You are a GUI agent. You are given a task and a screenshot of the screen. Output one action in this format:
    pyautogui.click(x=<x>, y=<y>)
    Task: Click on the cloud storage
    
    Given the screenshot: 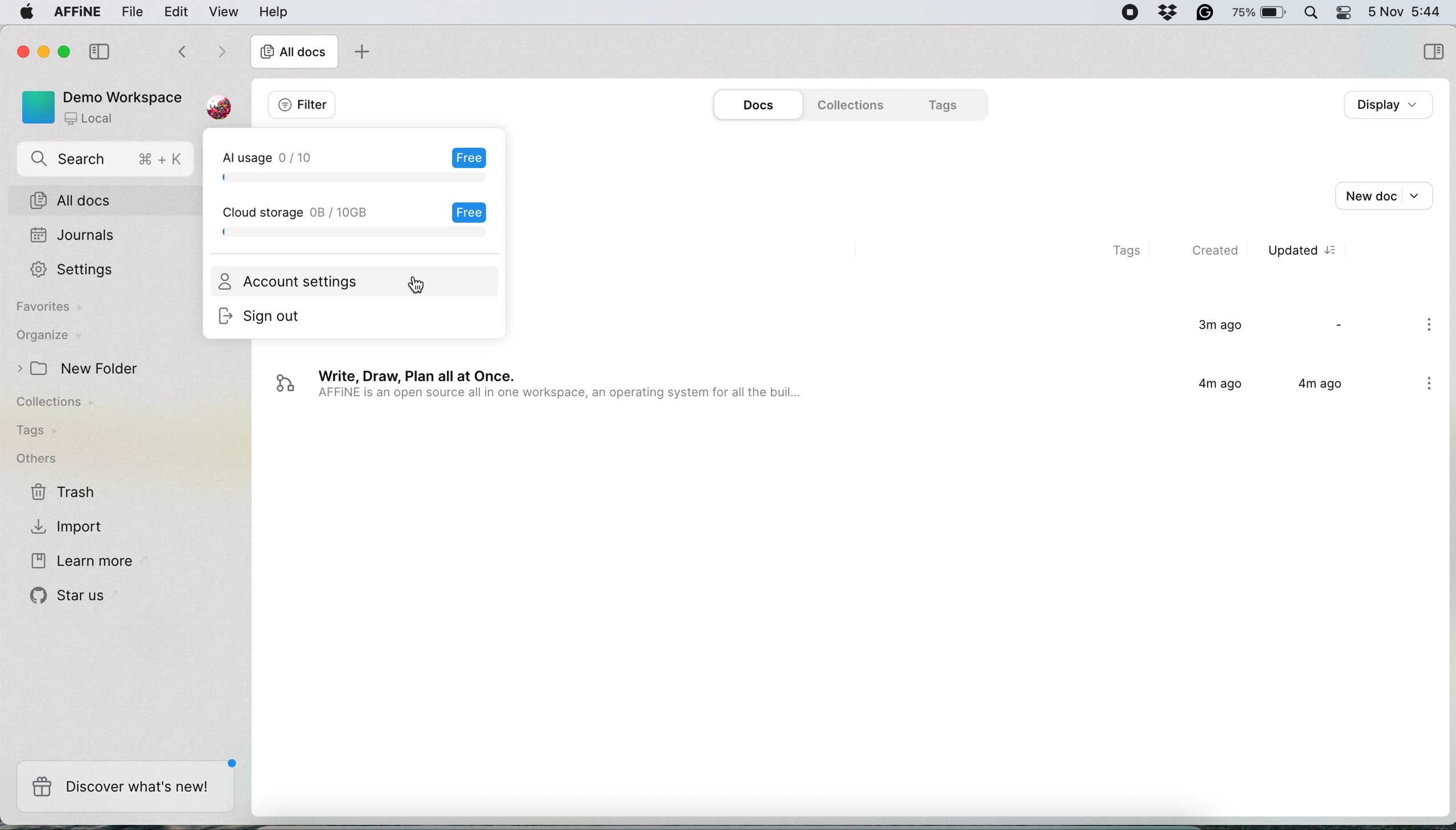 What is the action you would take?
    pyautogui.click(x=356, y=219)
    